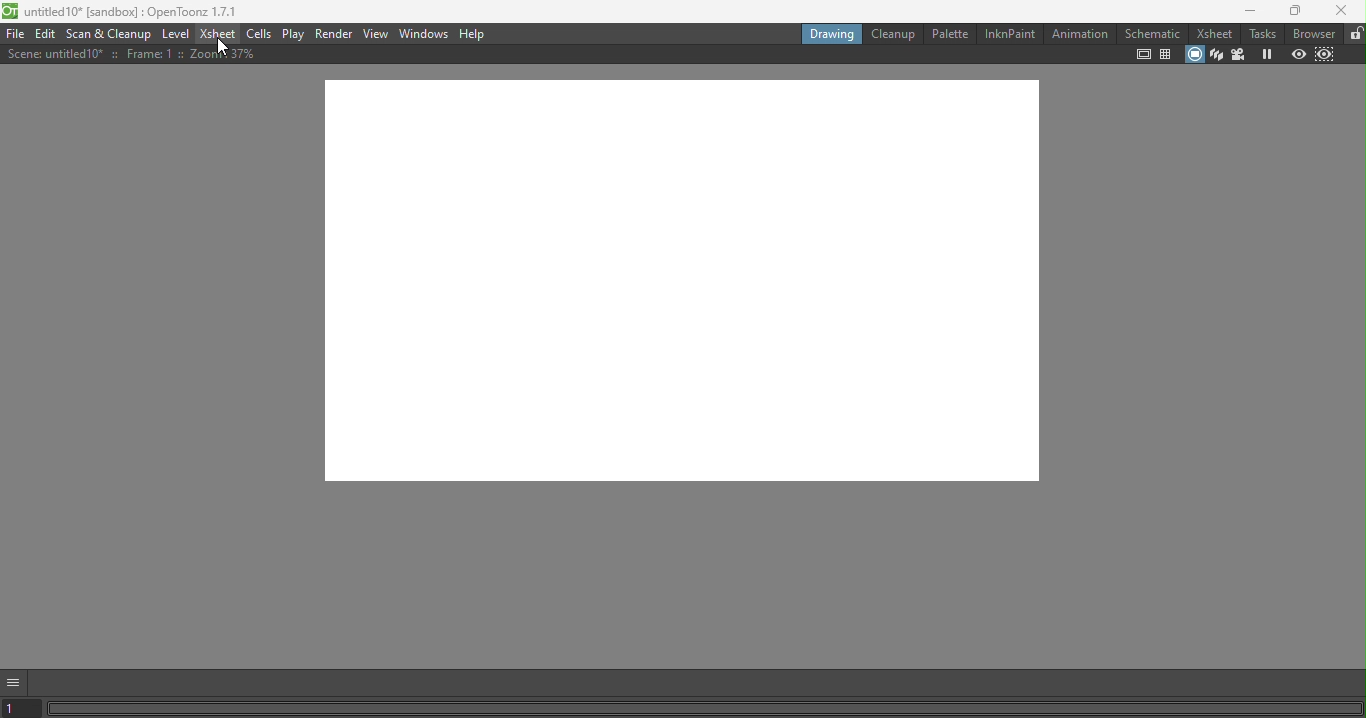 The width and height of the screenshot is (1366, 718). I want to click on File name, so click(124, 13).